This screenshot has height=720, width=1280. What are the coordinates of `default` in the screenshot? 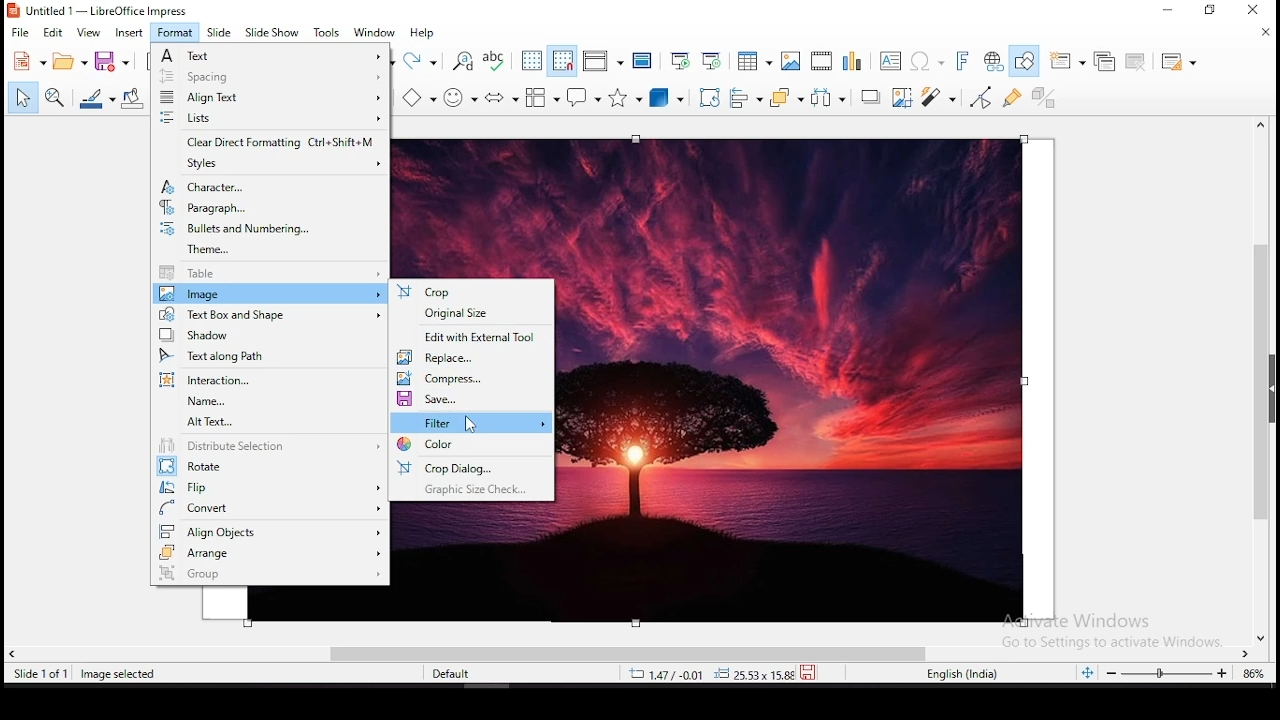 It's located at (457, 677).